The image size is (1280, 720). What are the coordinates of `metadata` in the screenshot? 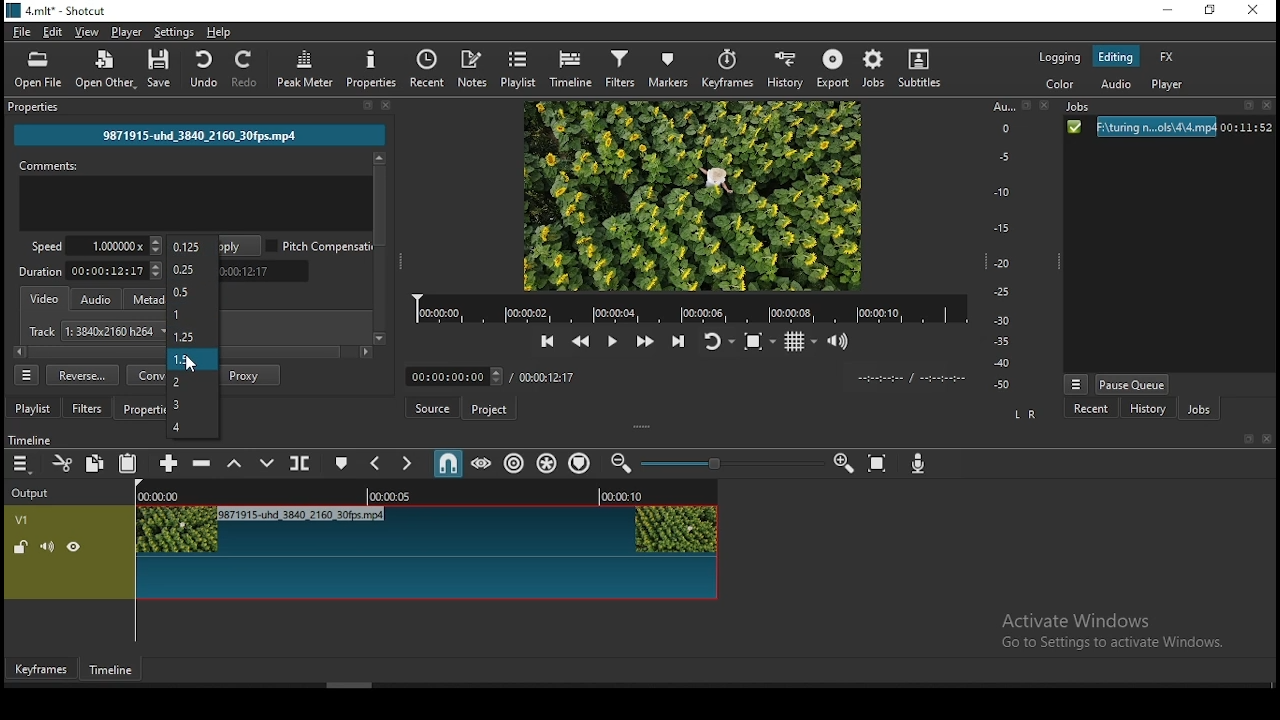 It's located at (147, 299).